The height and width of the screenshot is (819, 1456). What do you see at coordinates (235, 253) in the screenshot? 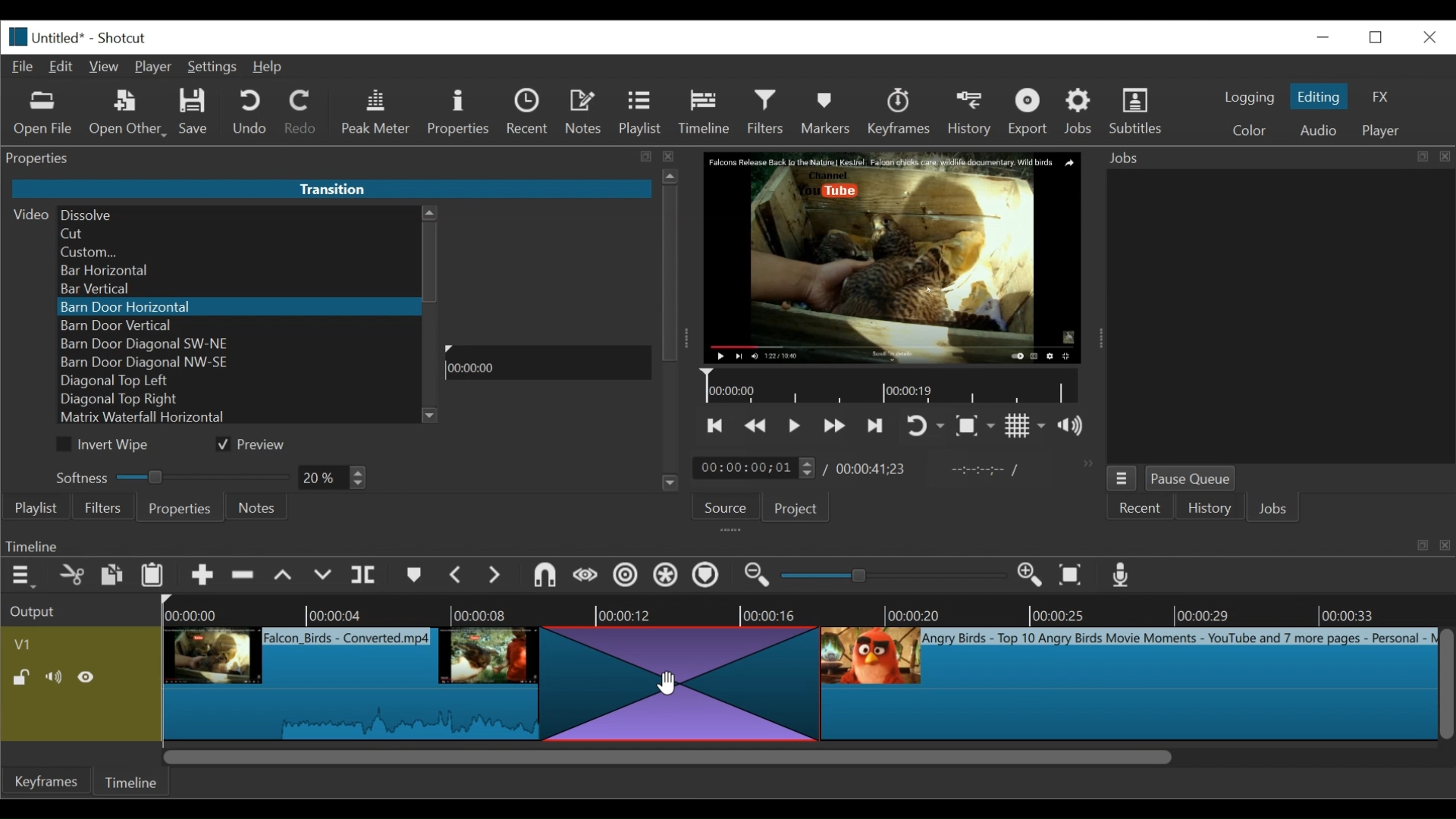
I see `Custom` at bounding box center [235, 253].